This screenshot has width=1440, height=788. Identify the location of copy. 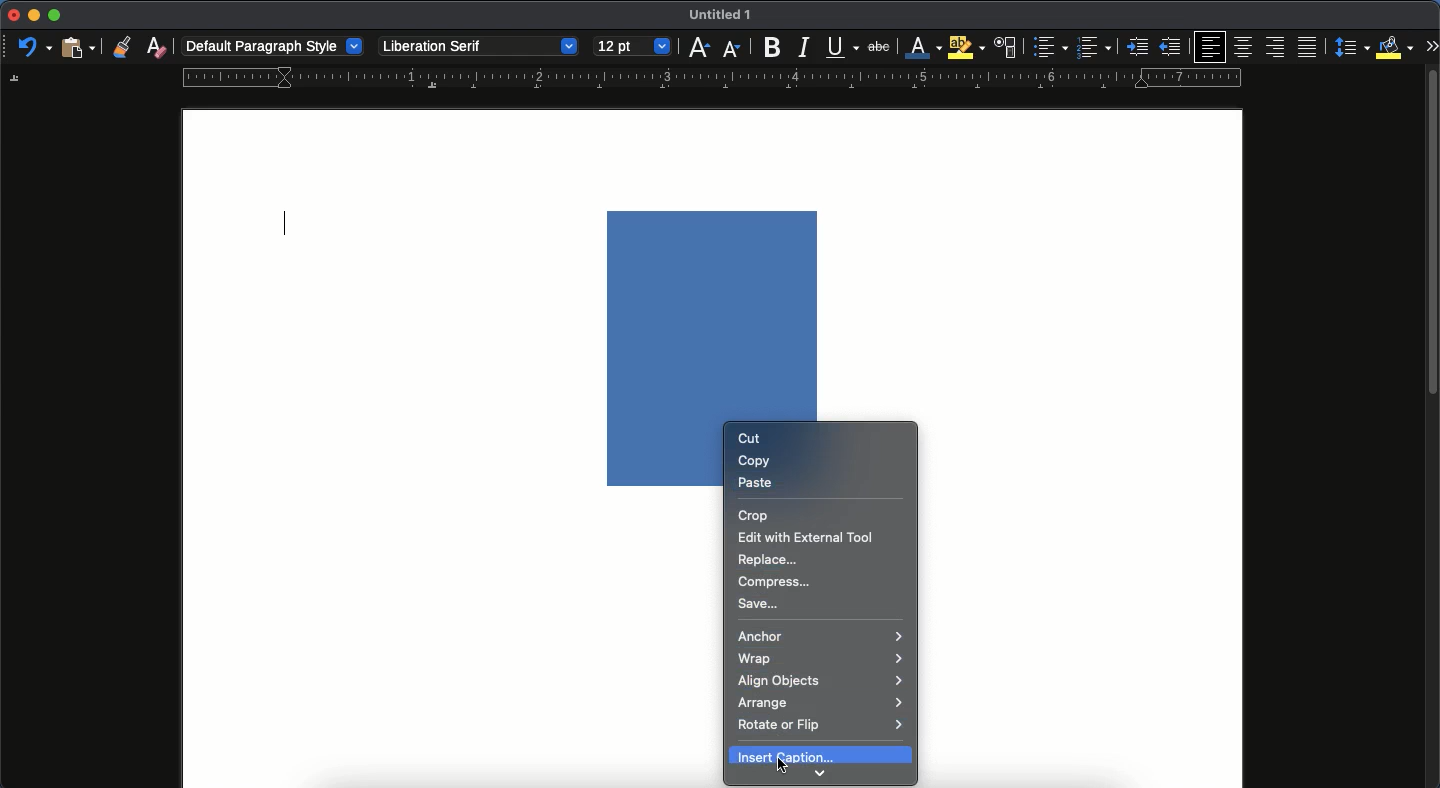
(757, 461).